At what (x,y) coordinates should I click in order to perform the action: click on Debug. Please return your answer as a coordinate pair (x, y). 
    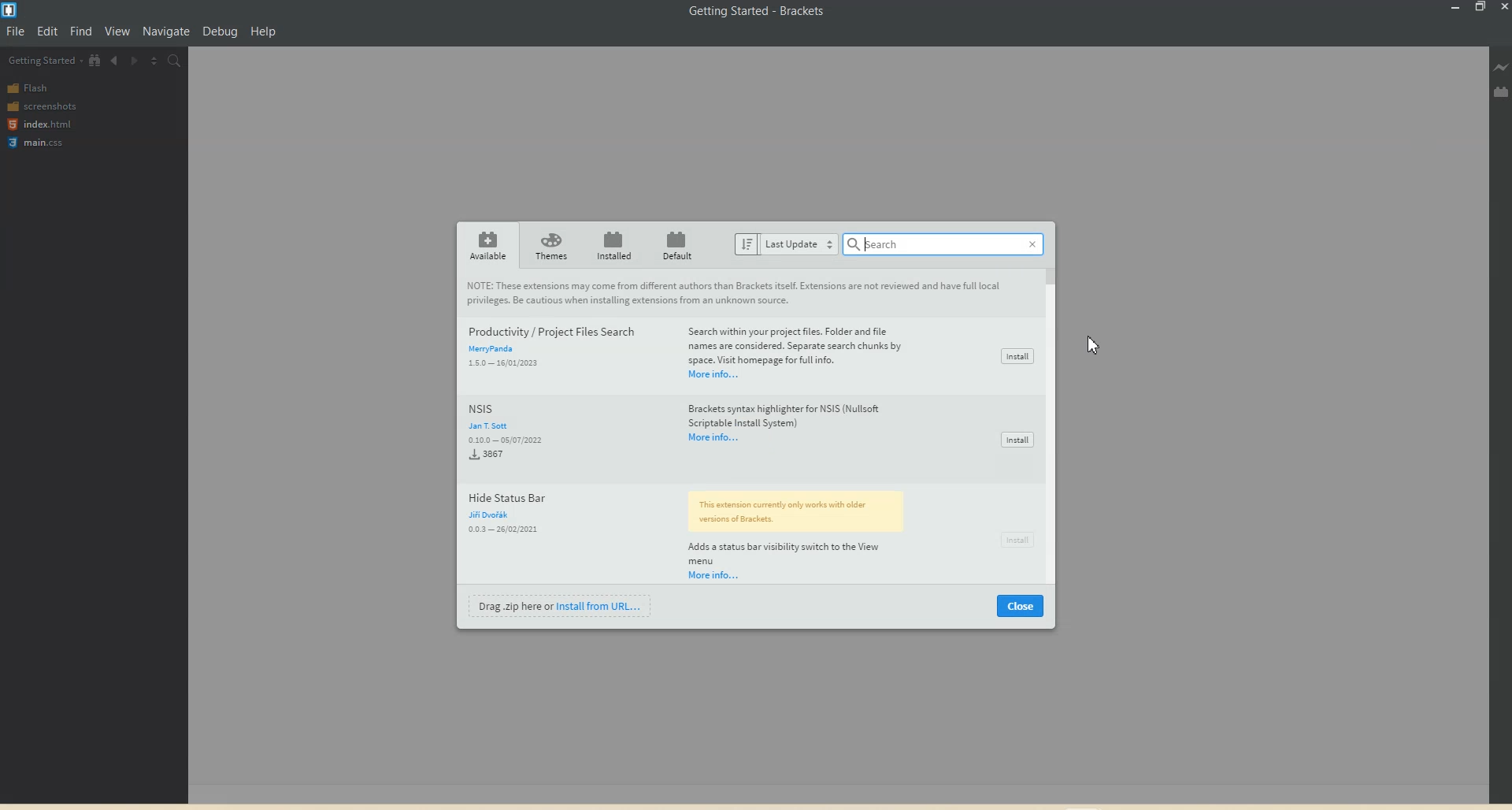
    Looking at the image, I should click on (220, 31).